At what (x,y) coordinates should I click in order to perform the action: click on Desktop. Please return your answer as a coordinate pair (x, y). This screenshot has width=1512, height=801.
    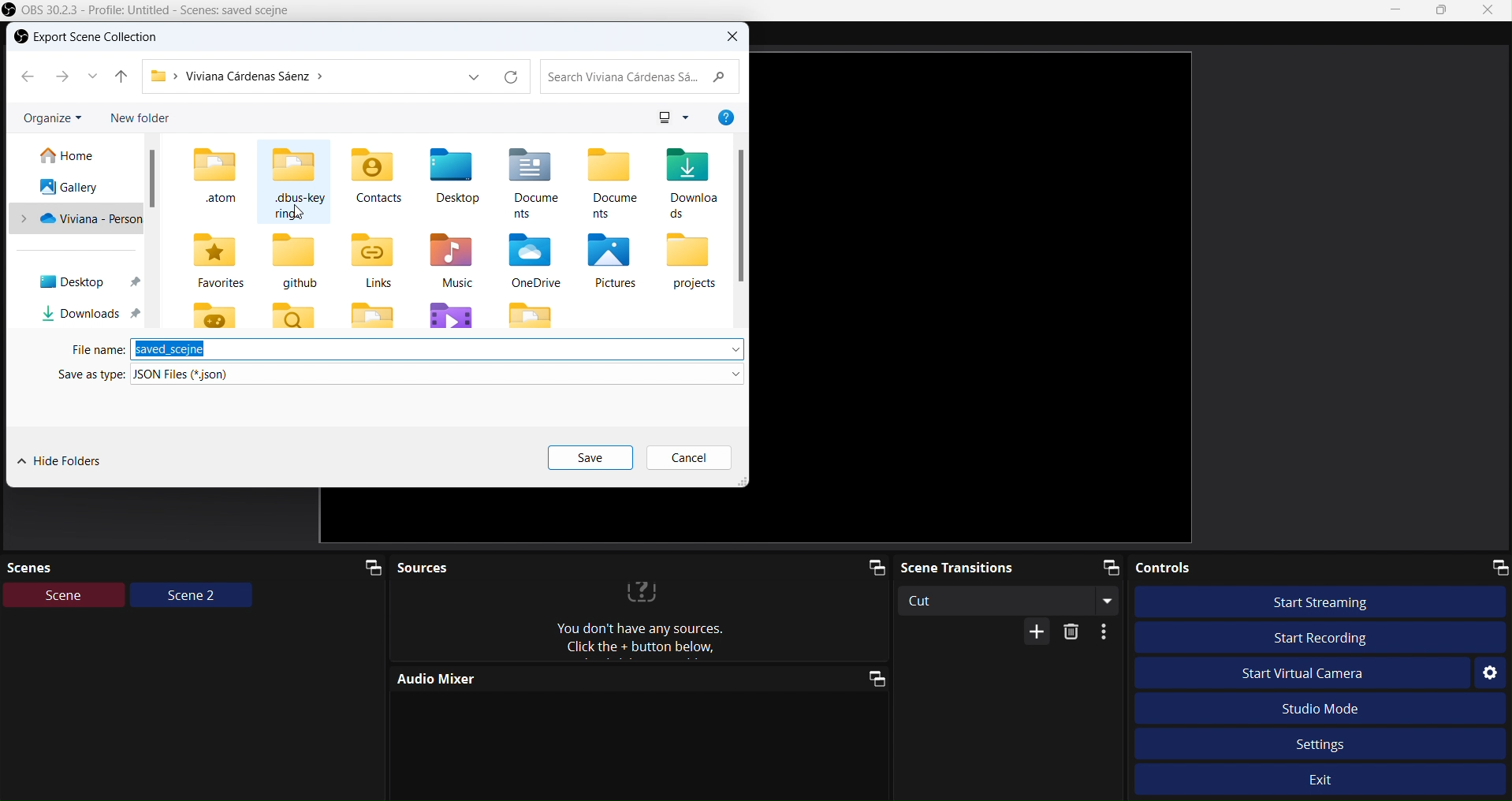
    Looking at the image, I should click on (80, 283).